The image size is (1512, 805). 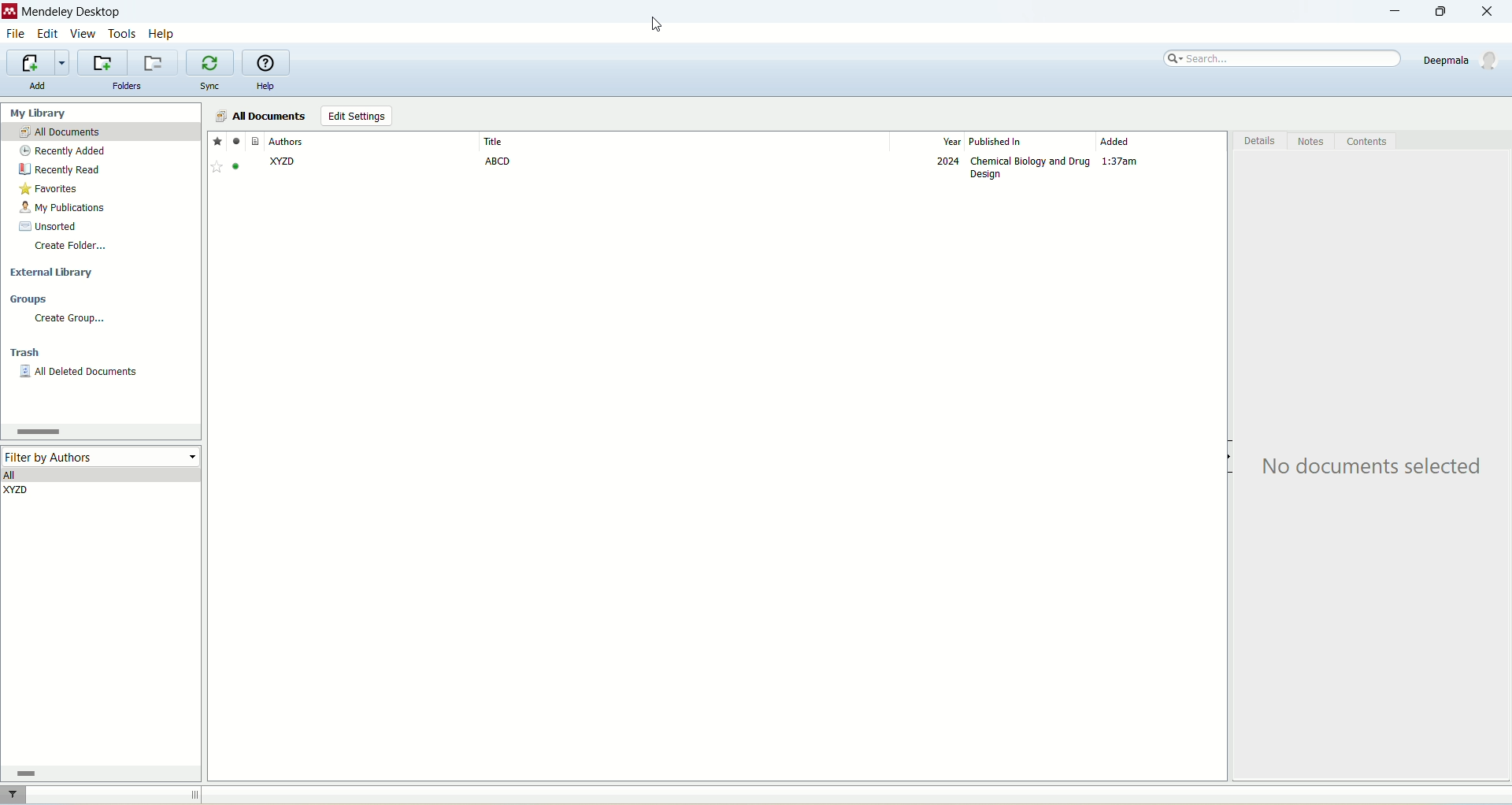 What do you see at coordinates (373, 142) in the screenshot?
I see `author` at bounding box center [373, 142].